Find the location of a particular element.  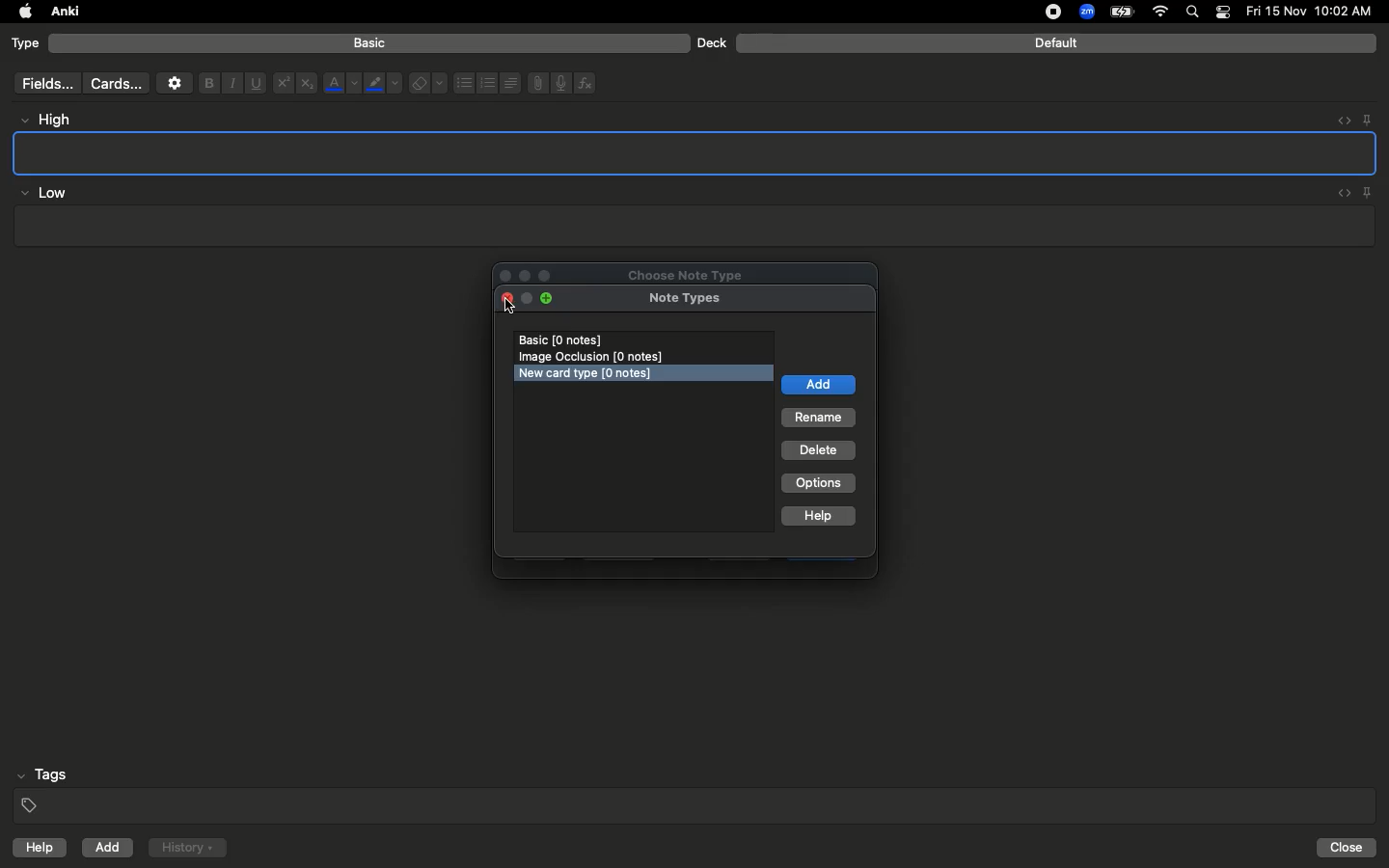

Italics is located at coordinates (230, 84).